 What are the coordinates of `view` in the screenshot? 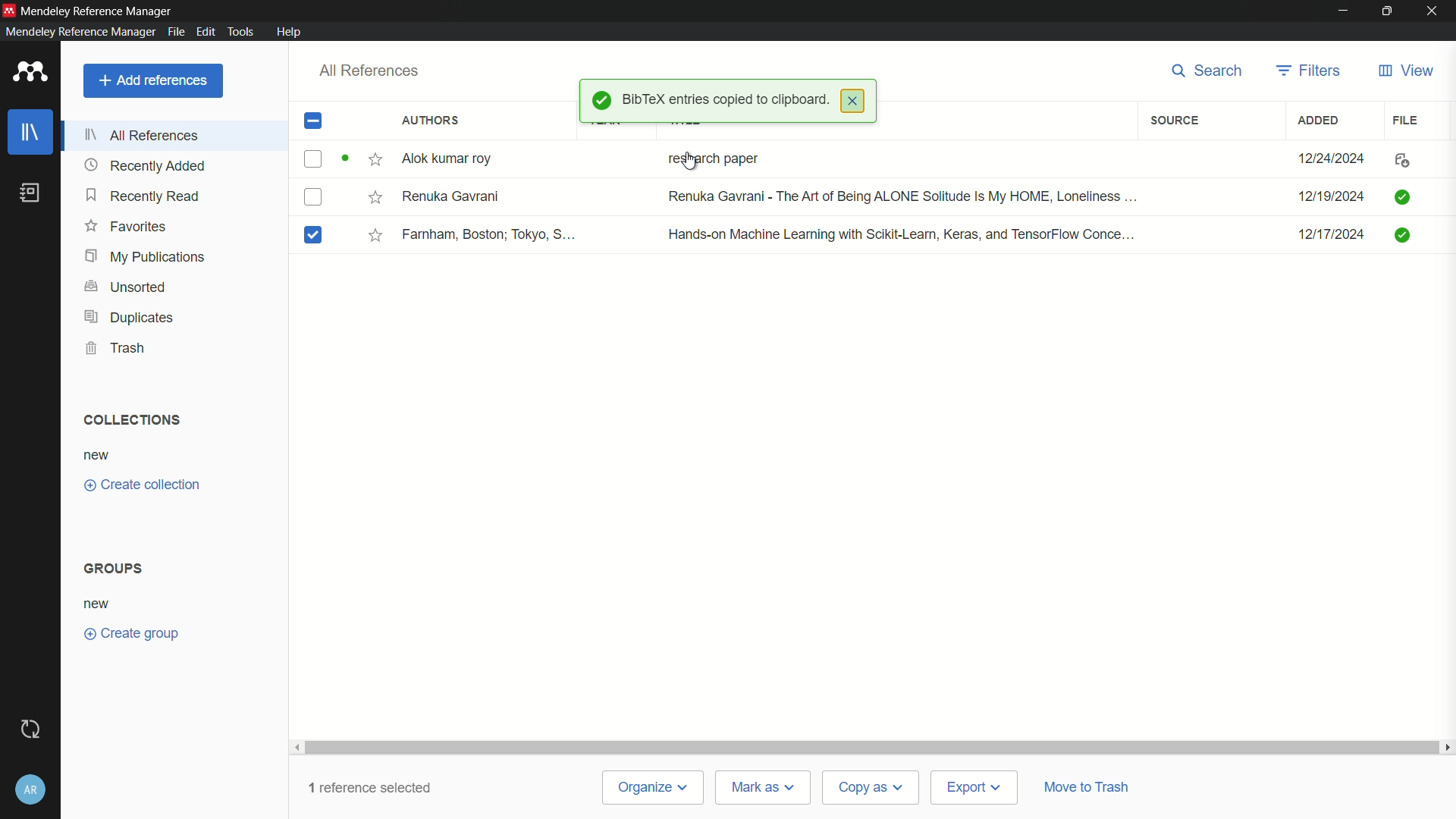 It's located at (1405, 71).